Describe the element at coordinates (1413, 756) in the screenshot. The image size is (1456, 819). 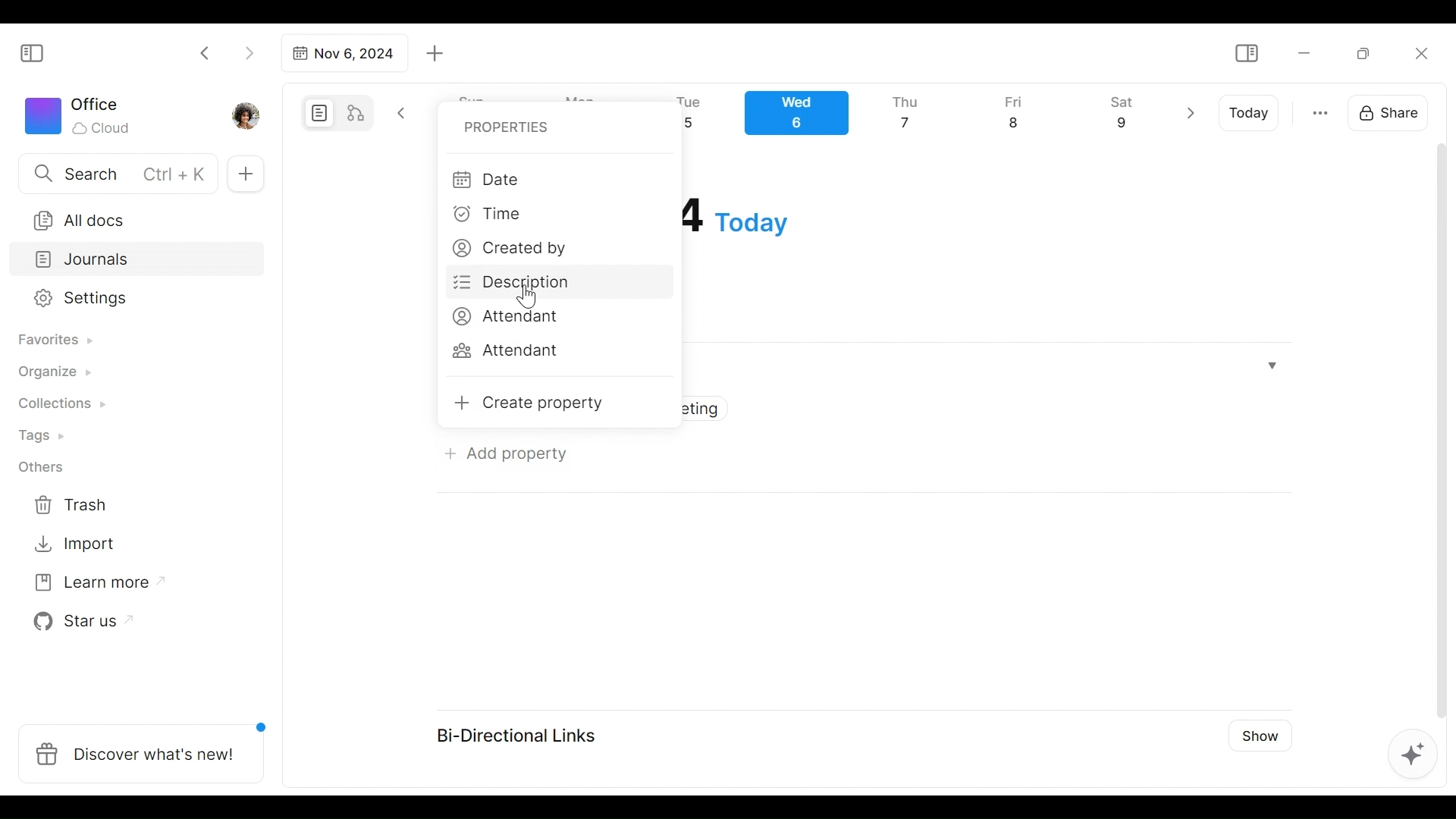
I see `AFFiNE AI` at that location.